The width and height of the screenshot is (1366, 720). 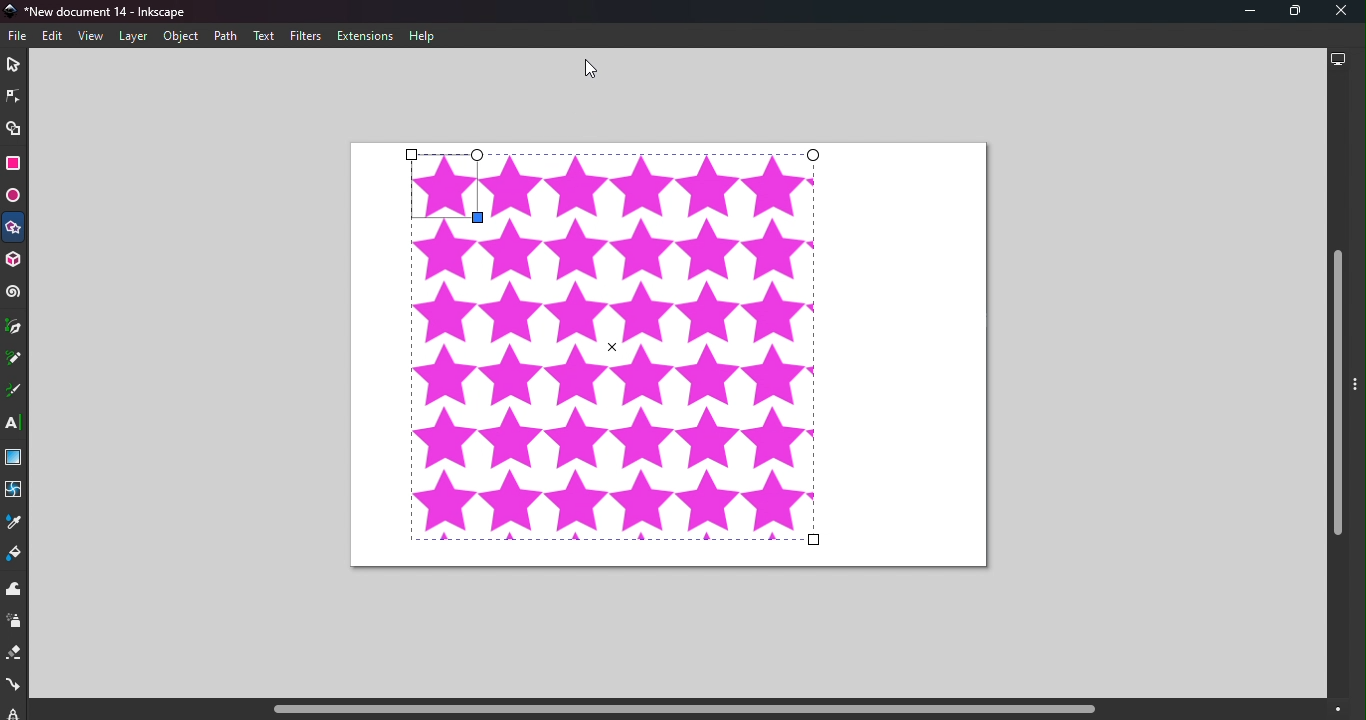 I want to click on Document name, so click(x=104, y=11).